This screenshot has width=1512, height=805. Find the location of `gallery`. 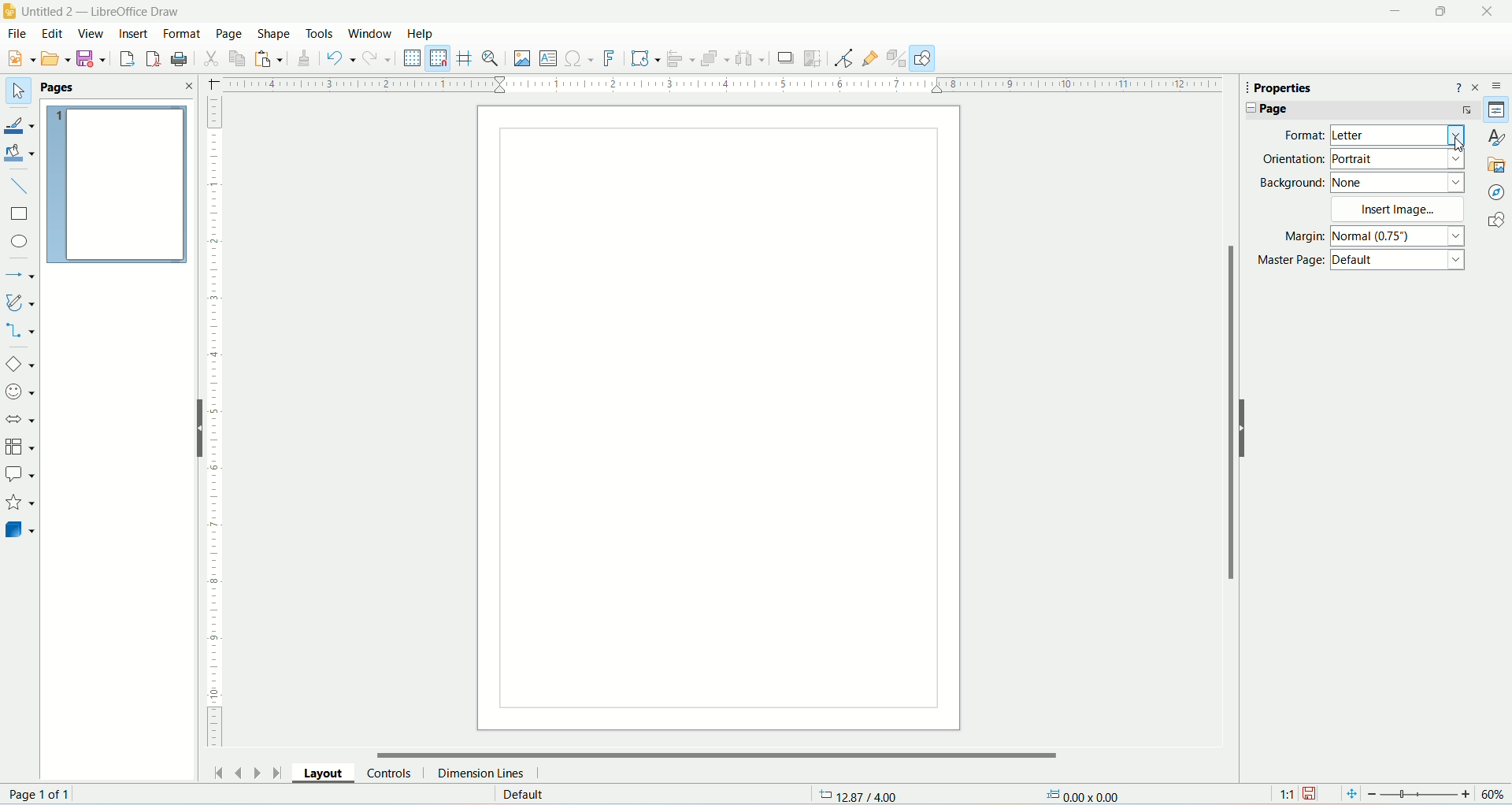

gallery is located at coordinates (1498, 165).